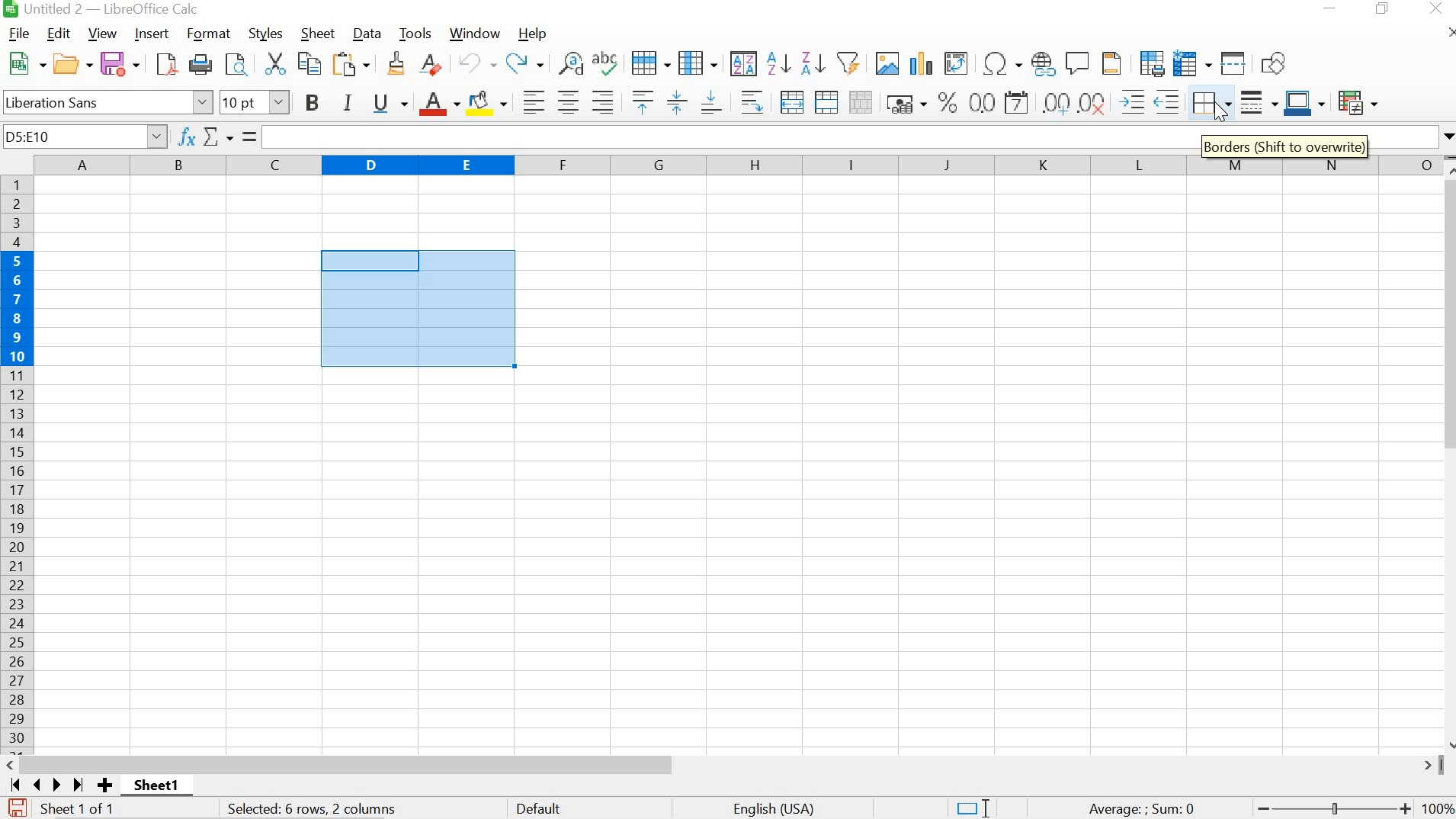 Image resolution: width=1456 pixels, height=819 pixels. What do you see at coordinates (1277, 62) in the screenshot?
I see `SHAW DRAW FUNCTIONS` at bounding box center [1277, 62].